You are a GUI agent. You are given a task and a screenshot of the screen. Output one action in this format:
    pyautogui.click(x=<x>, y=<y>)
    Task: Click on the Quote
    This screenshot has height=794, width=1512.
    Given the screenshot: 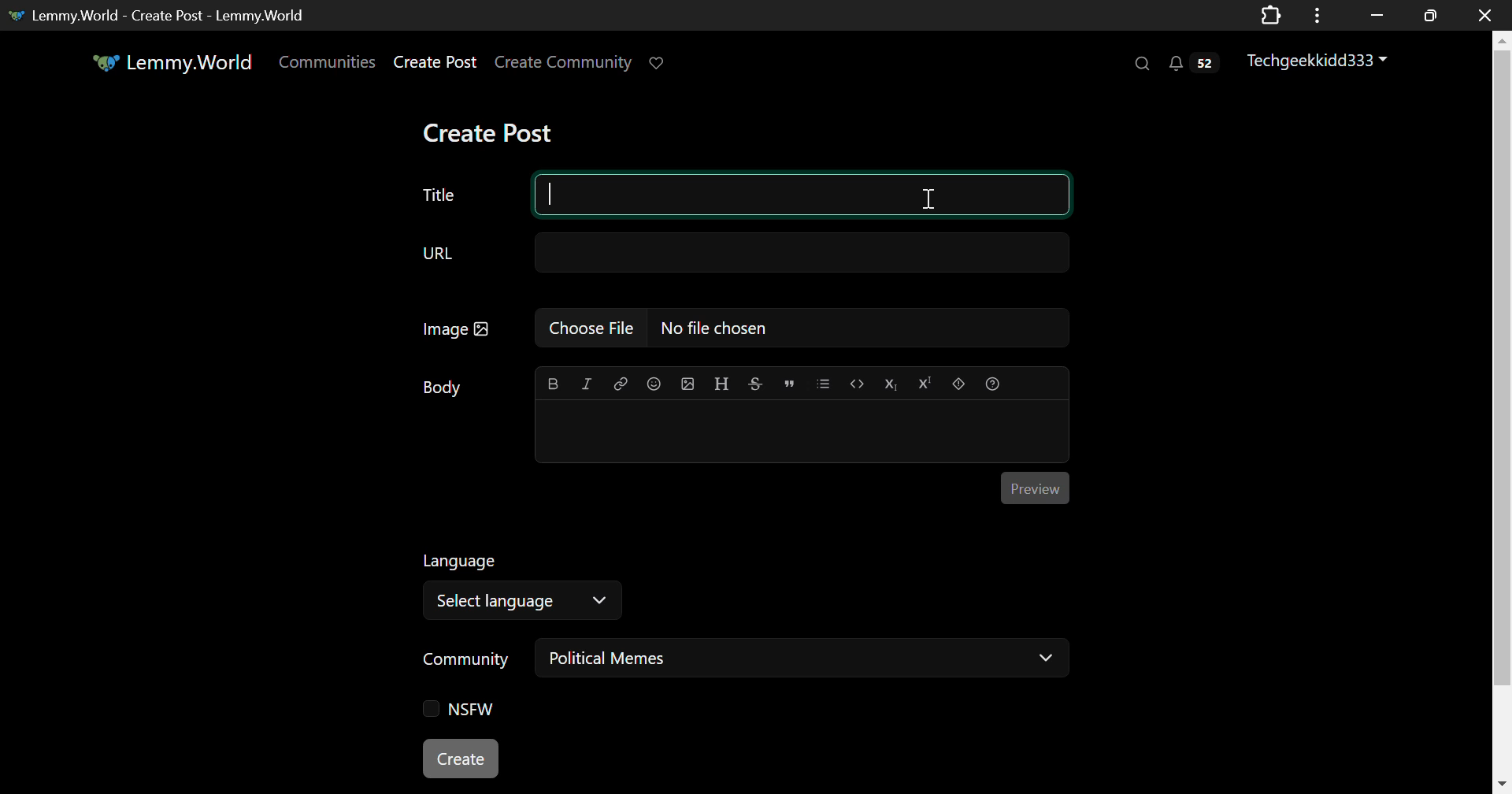 What is the action you would take?
    pyautogui.click(x=788, y=382)
    